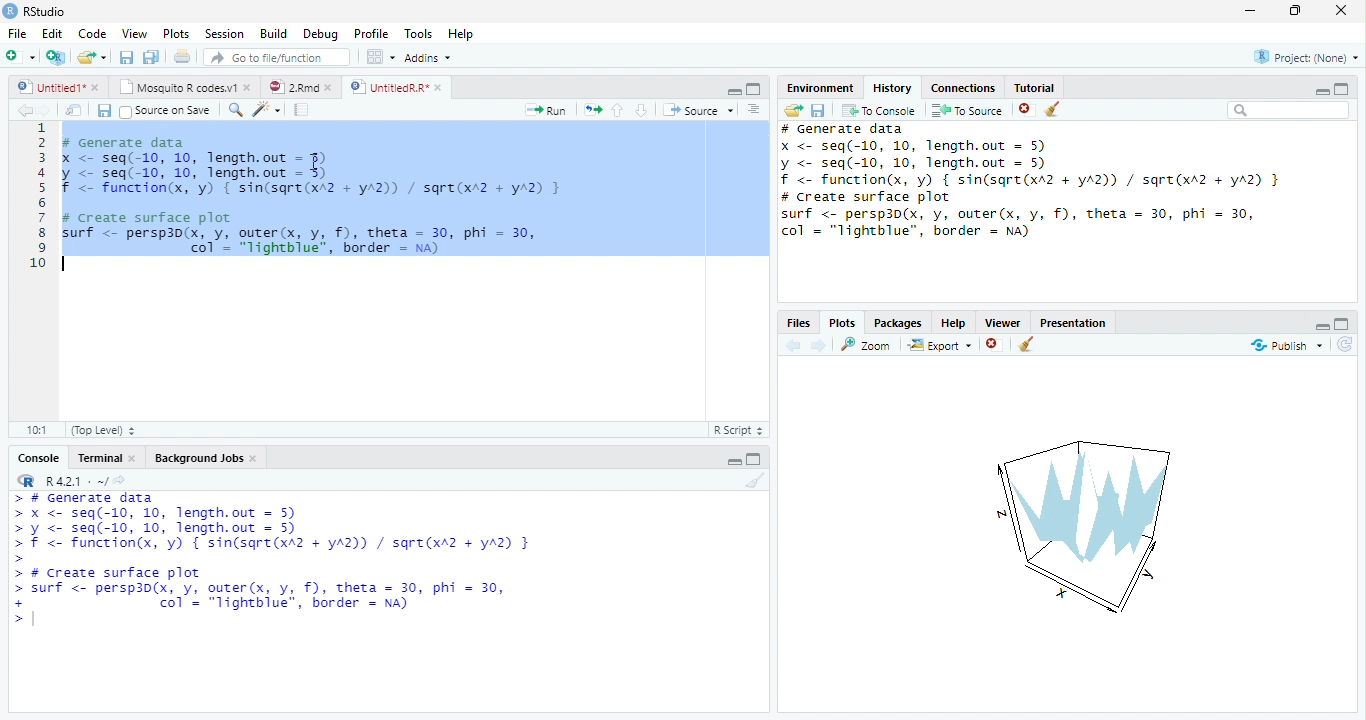 The width and height of the screenshot is (1366, 720). Describe the element at coordinates (37, 430) in the screenshot. I see `1:1` at that location.